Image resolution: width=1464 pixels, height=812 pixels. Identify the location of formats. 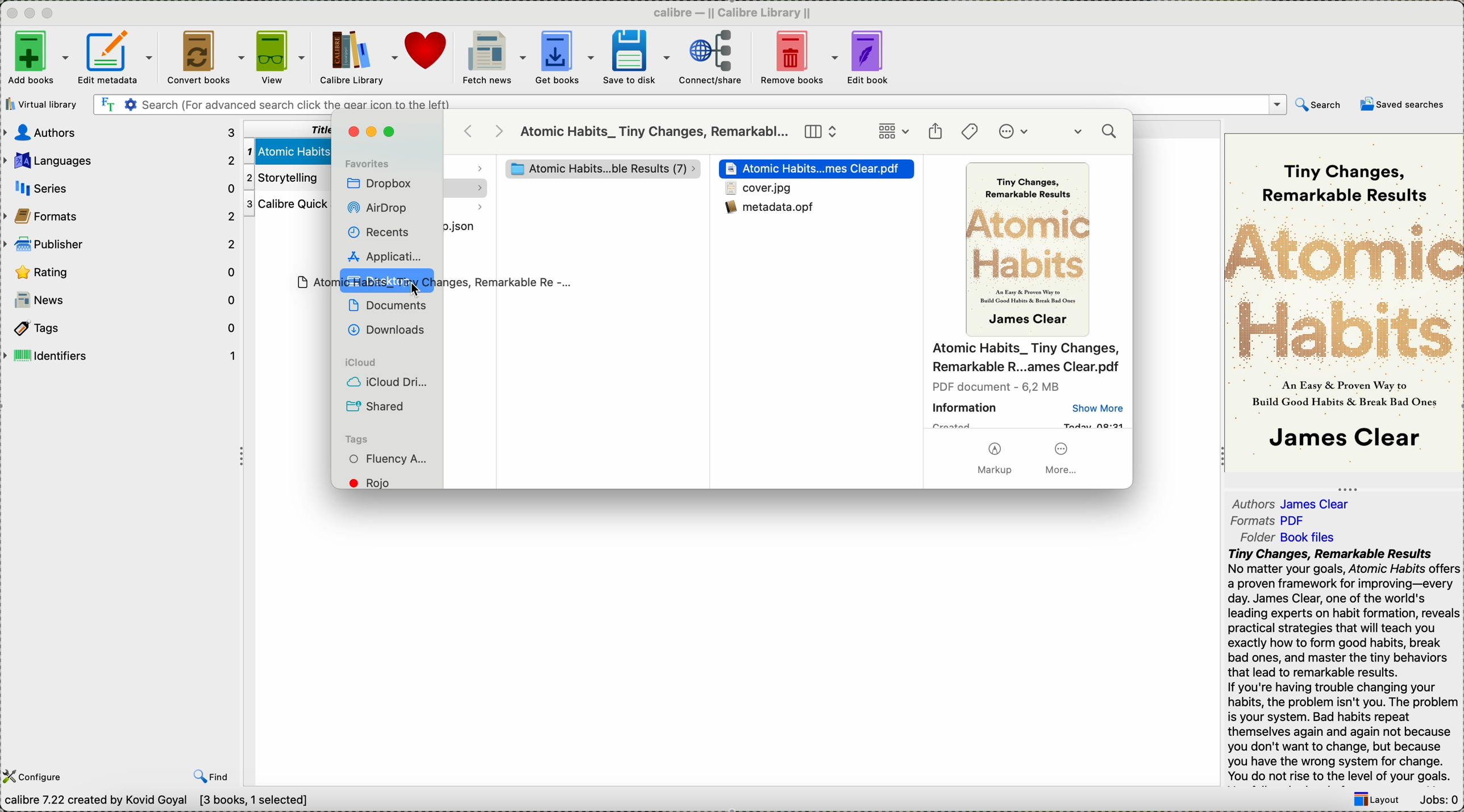
(1271, 521).